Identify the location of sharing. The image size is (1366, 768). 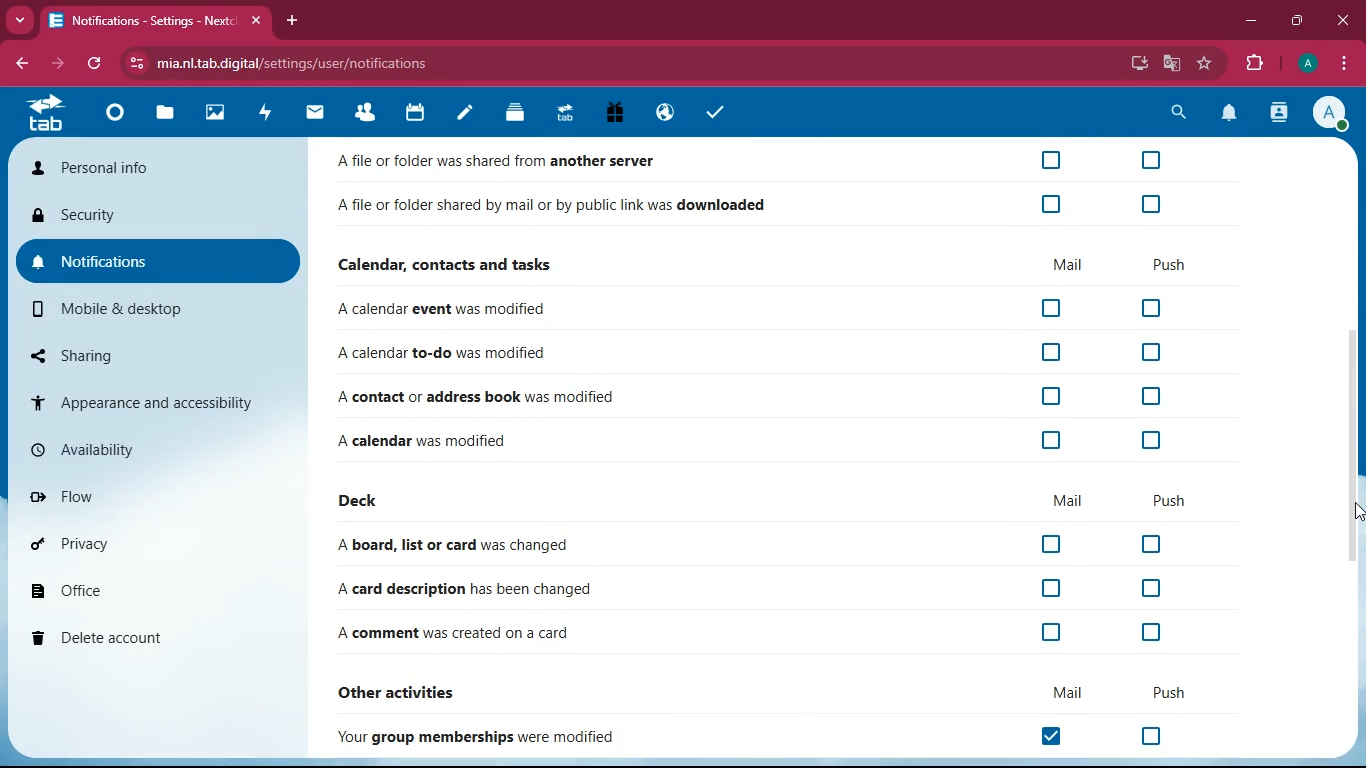
(161, 355).